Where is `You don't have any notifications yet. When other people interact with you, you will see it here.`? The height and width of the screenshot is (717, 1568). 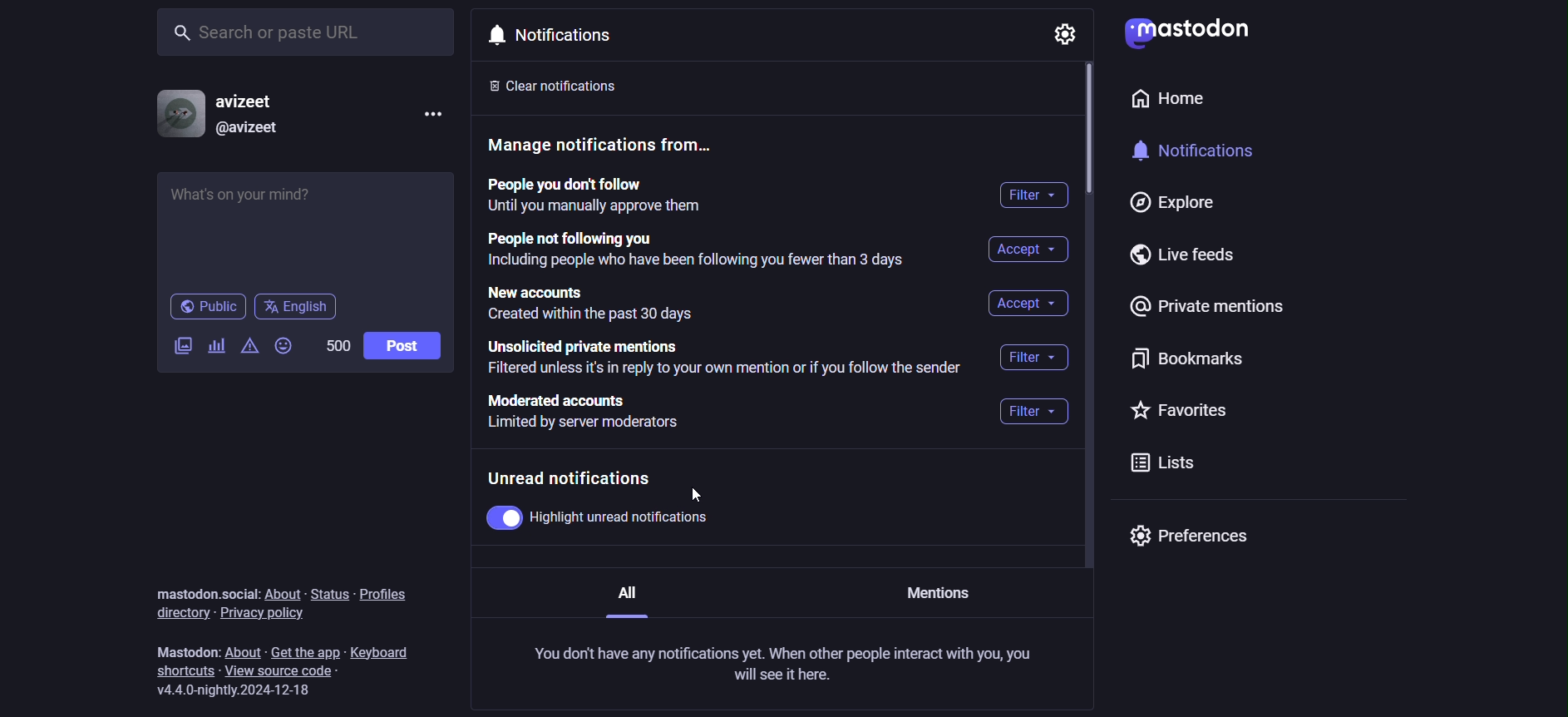
You don't have any notifications yet. When other people interact with you, you will see it here. is located at coordinates (780, 665).